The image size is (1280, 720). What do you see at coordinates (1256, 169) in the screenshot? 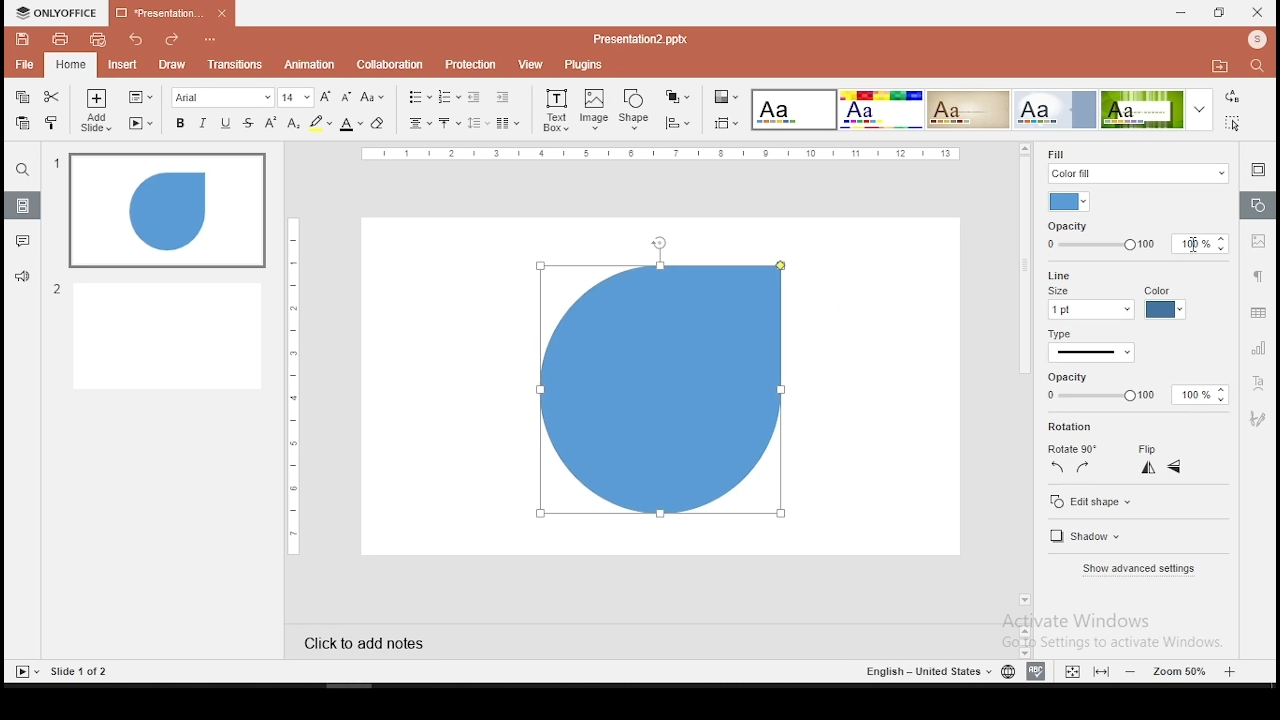
I see `slide settings` at bounding box center [1256, 169].